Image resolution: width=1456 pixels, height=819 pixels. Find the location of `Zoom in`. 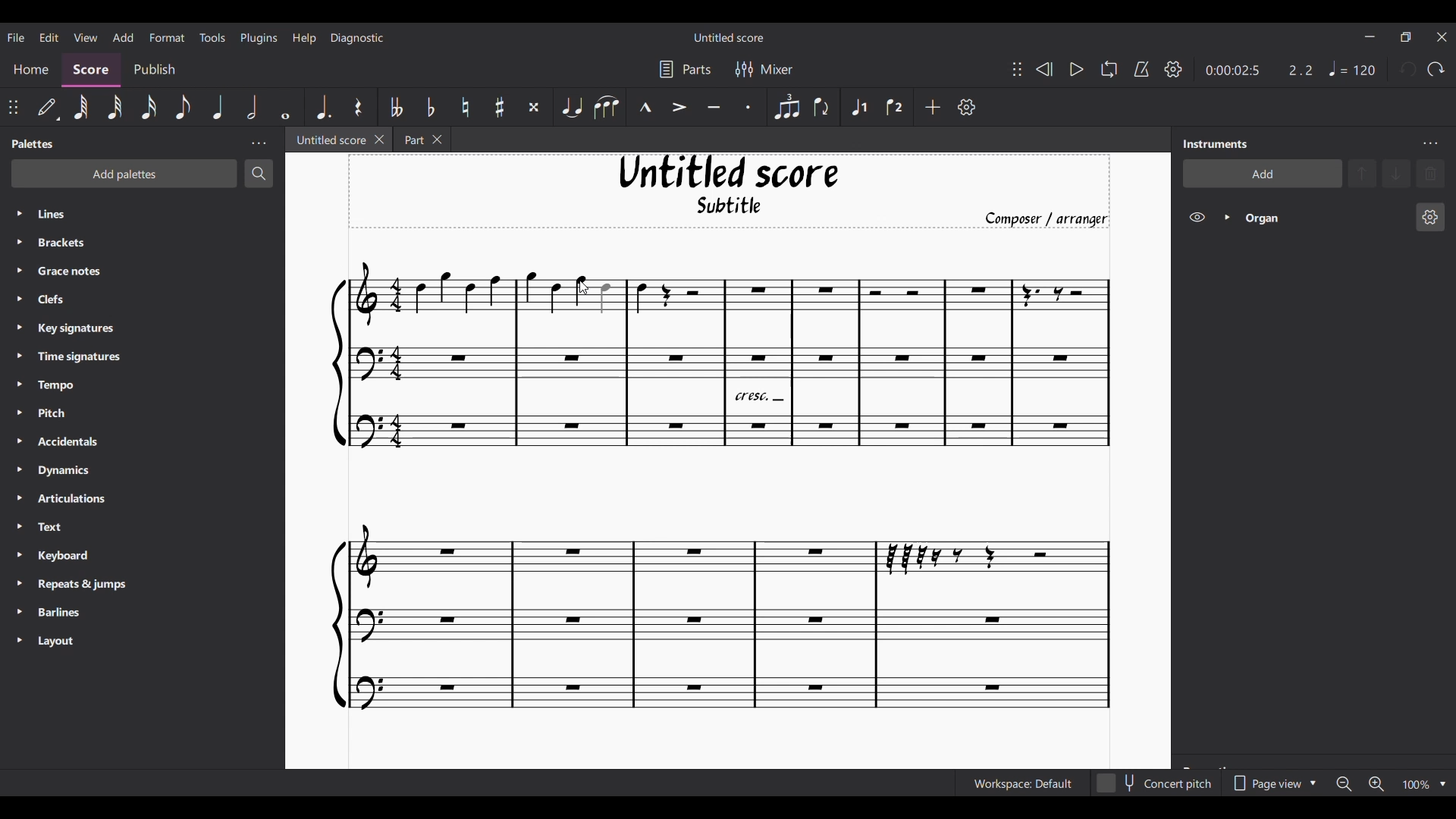

Zoom in is located at coordinates (1376, 784).